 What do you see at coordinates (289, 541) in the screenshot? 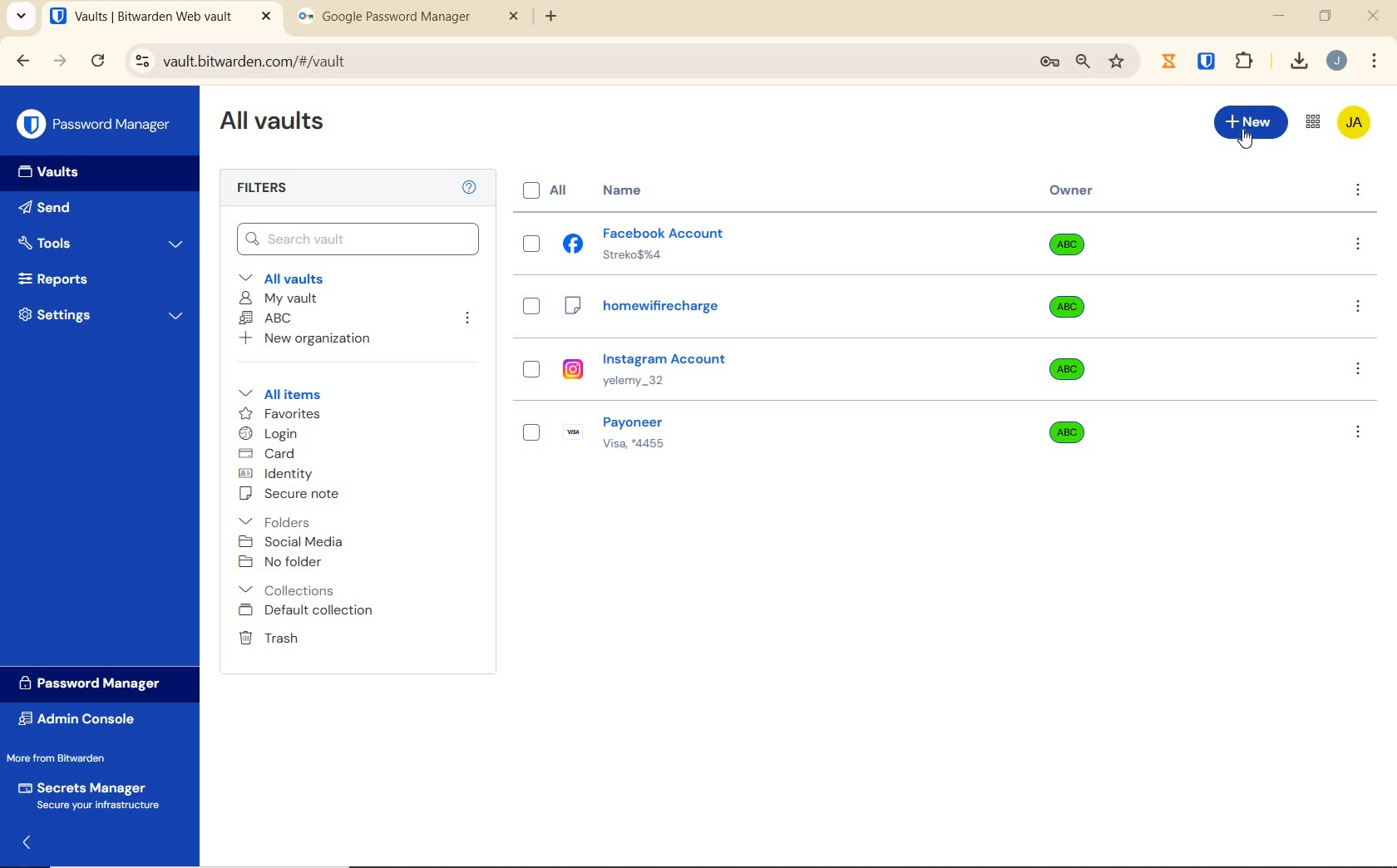
I see `Social media` at bounding box center [289, 541].